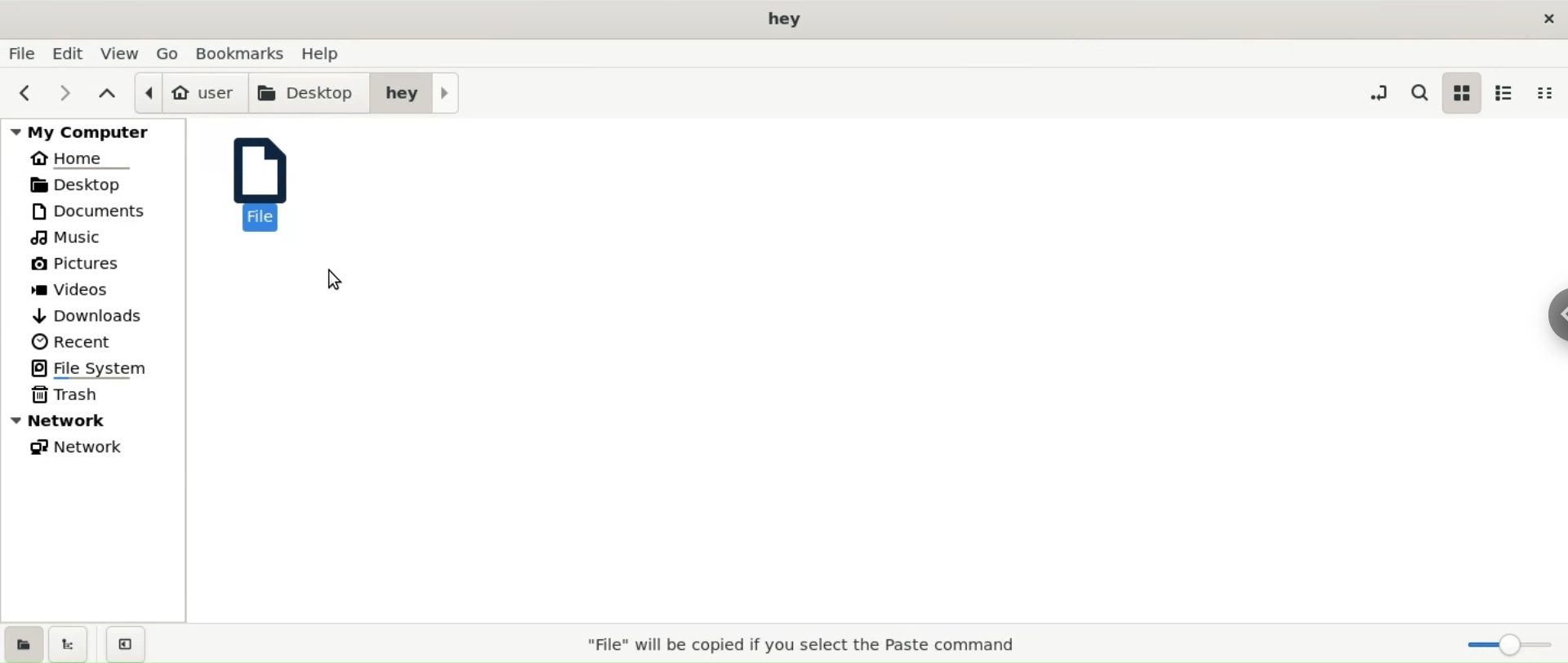  Describe the element at coordinates (324, 55) in the screenshot. I see `help` at that location.